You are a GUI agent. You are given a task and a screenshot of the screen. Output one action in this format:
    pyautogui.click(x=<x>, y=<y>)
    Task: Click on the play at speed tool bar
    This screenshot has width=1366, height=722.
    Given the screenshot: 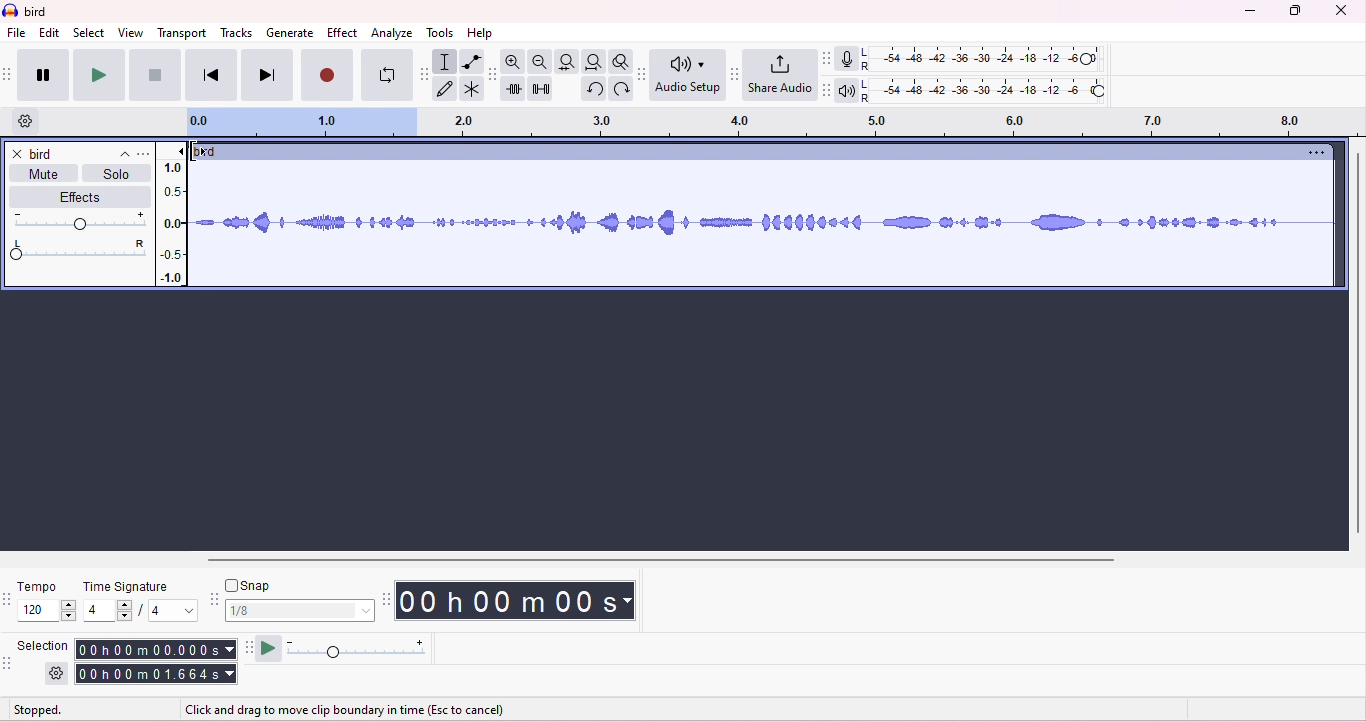 What is the action you would take?
    pyautogui.click(x=246, y=646)
    